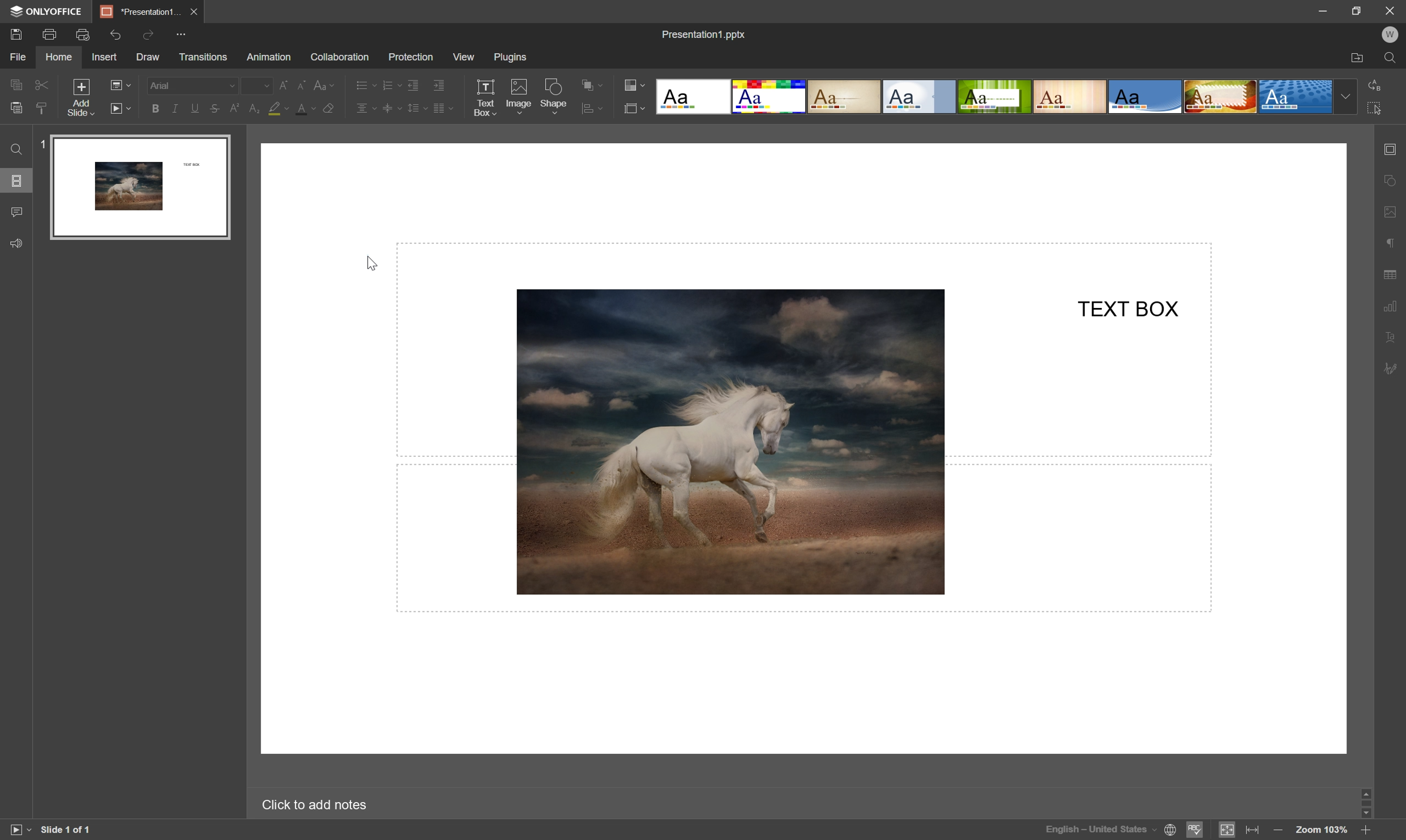 The width and height of the screenshot is (1406, 840). Describe the element at coordinates (342, 58) in the screenshot. I see `collaboration` at that location.